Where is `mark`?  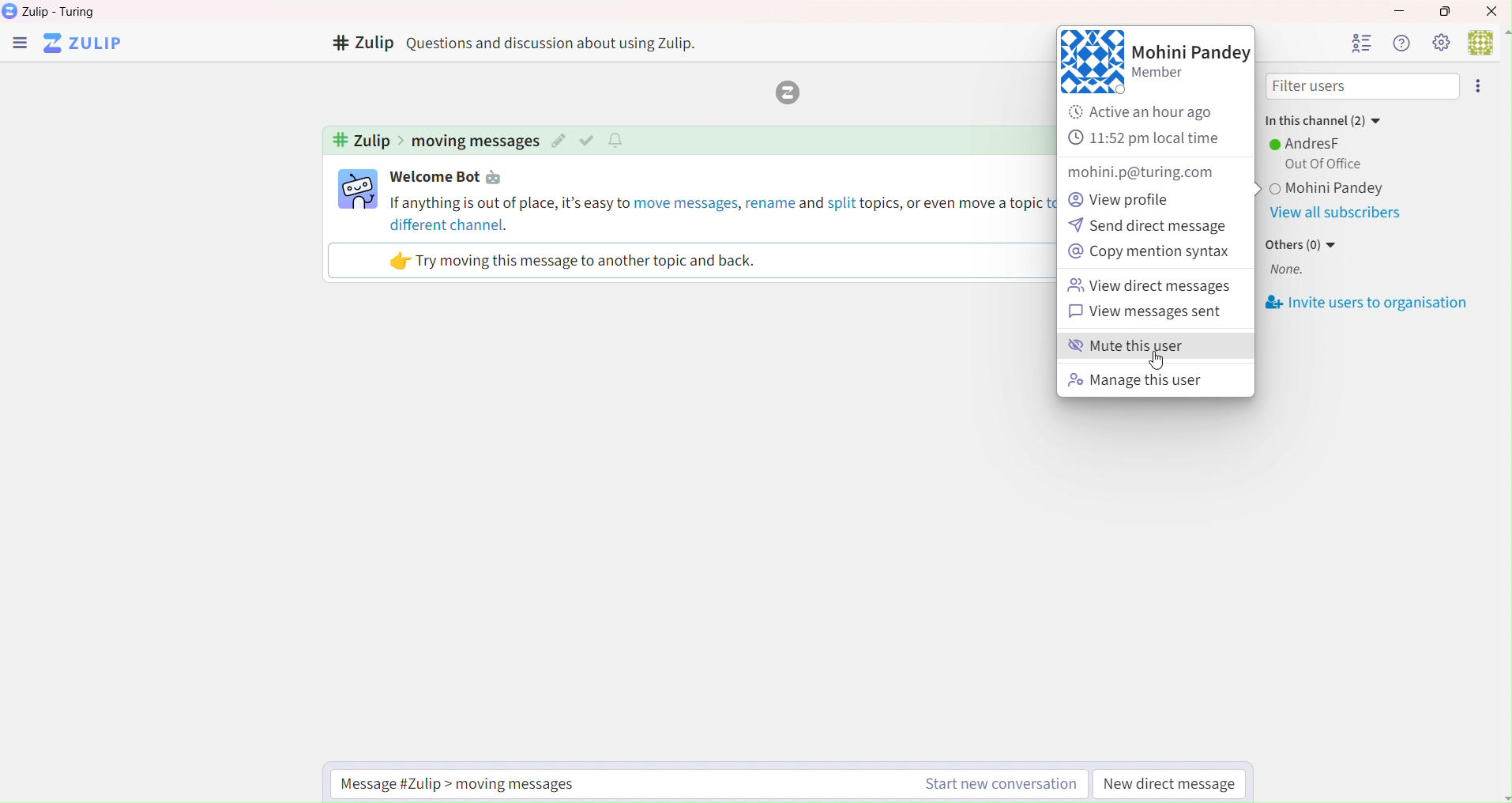
mark is located at coordinates (589, 140).